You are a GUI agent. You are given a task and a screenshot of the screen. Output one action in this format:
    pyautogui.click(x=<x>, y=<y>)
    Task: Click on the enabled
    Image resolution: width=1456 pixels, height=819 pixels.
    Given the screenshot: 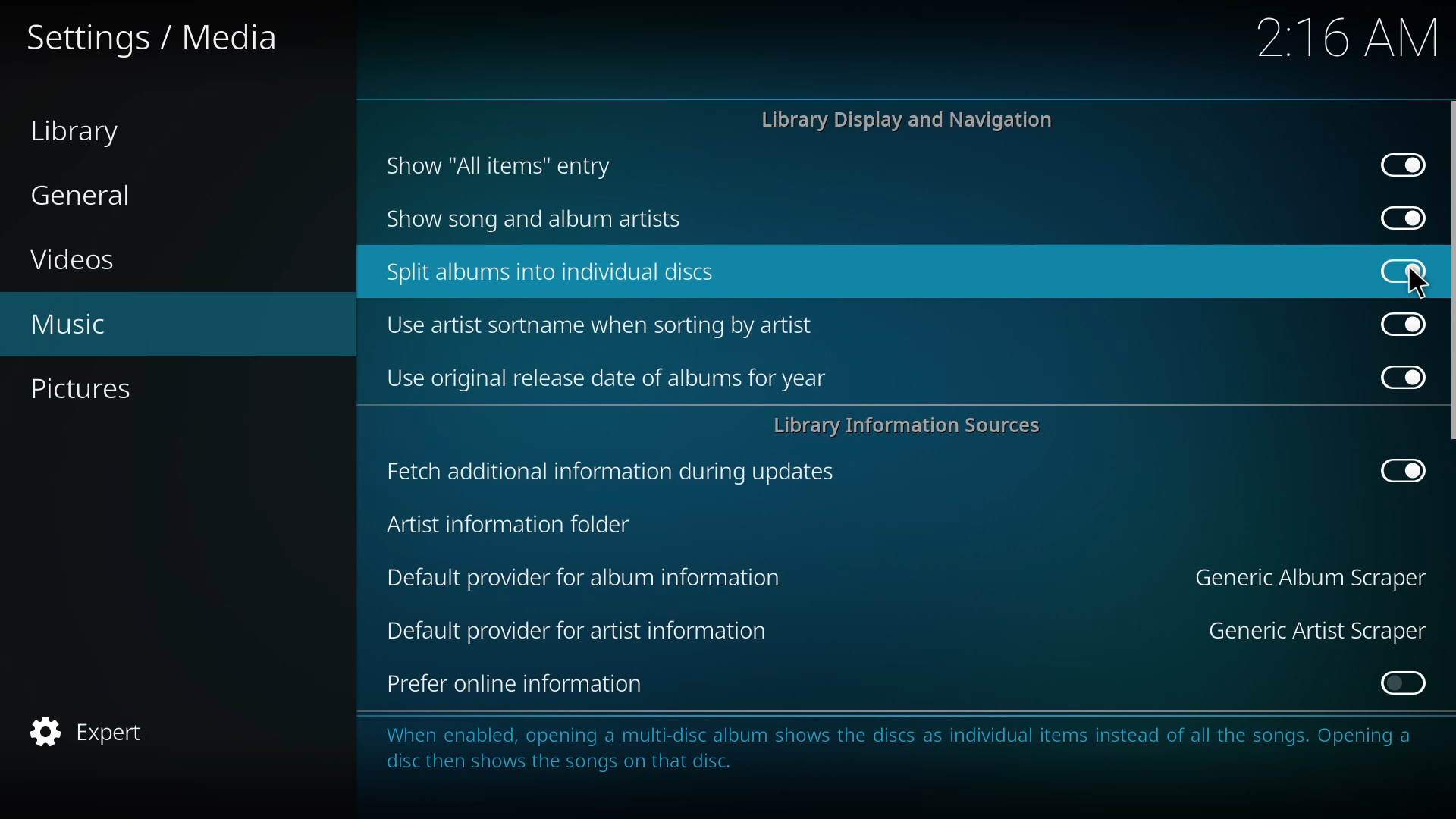 What is the action you would take?
    pyautogui.click(x=1398, y=165)
    